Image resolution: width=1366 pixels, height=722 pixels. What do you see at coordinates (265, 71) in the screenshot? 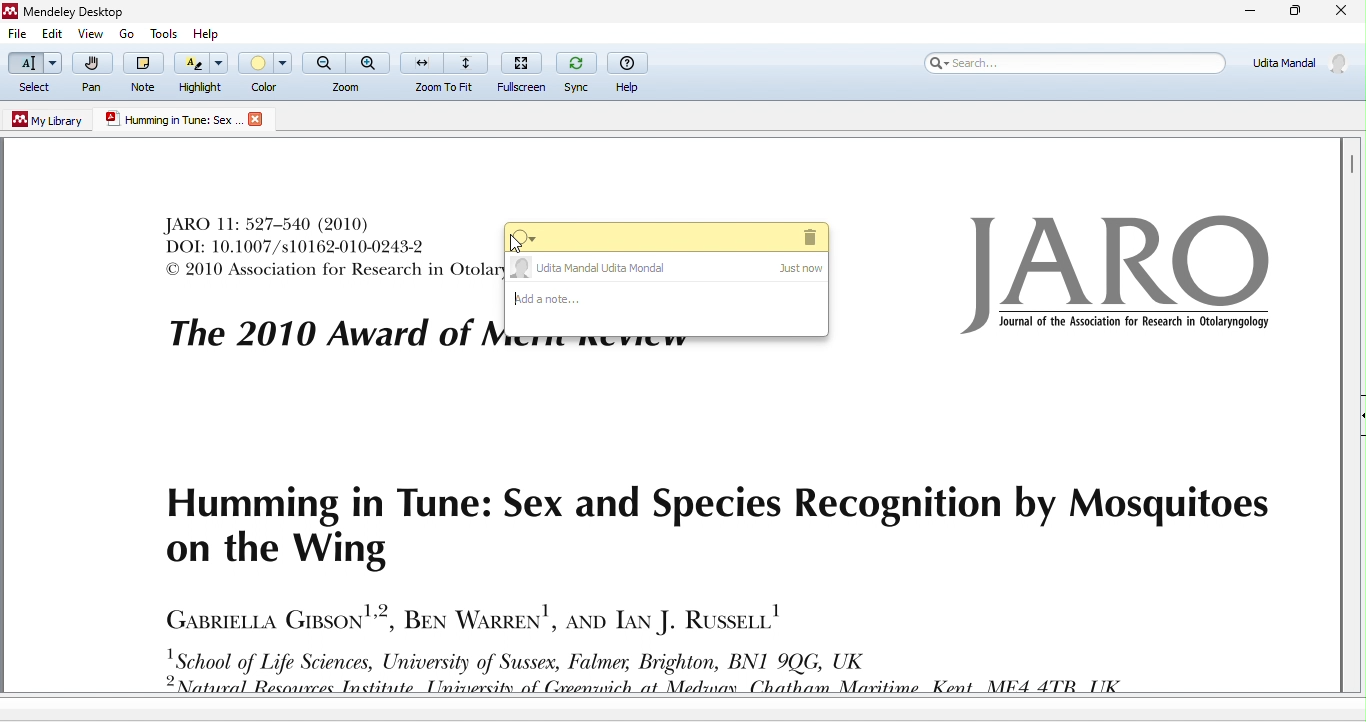
I see `color` at bounding box center [265, 71].